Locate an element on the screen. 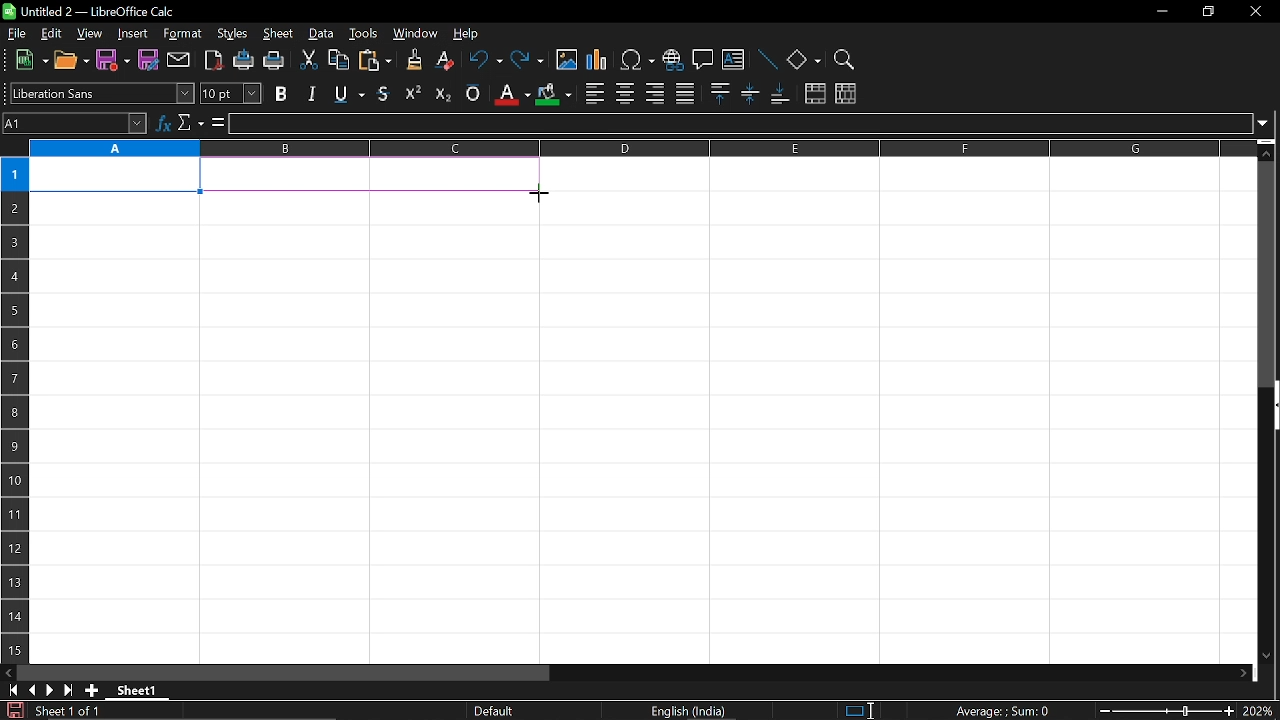  columns is located at coordinates (640, 149).